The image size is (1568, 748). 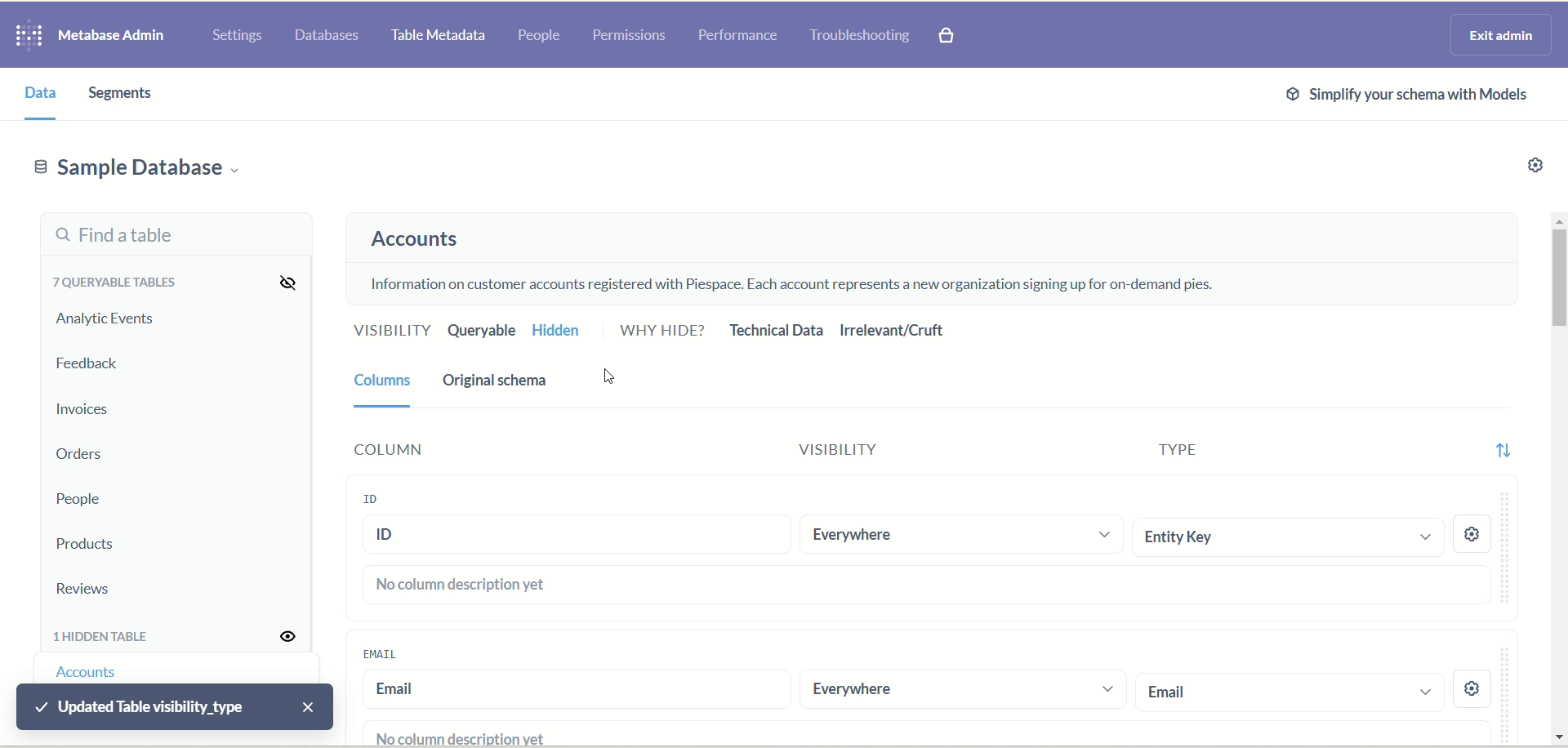 I want to click on ID, so click(x=371, y=496).